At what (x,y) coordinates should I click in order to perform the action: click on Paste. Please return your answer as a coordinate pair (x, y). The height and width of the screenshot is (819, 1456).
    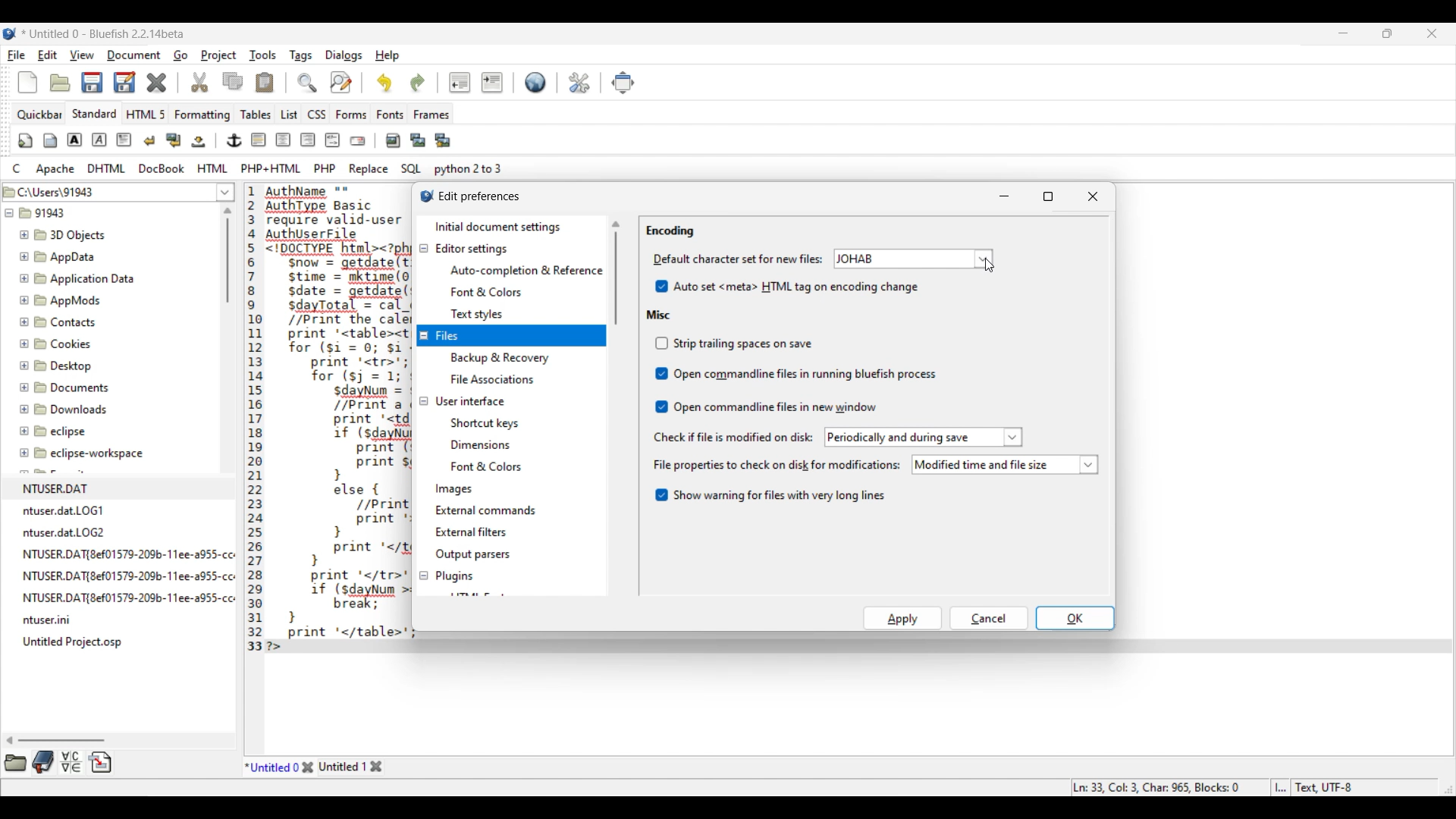
    Looking at the image, I should click on (265, 82).